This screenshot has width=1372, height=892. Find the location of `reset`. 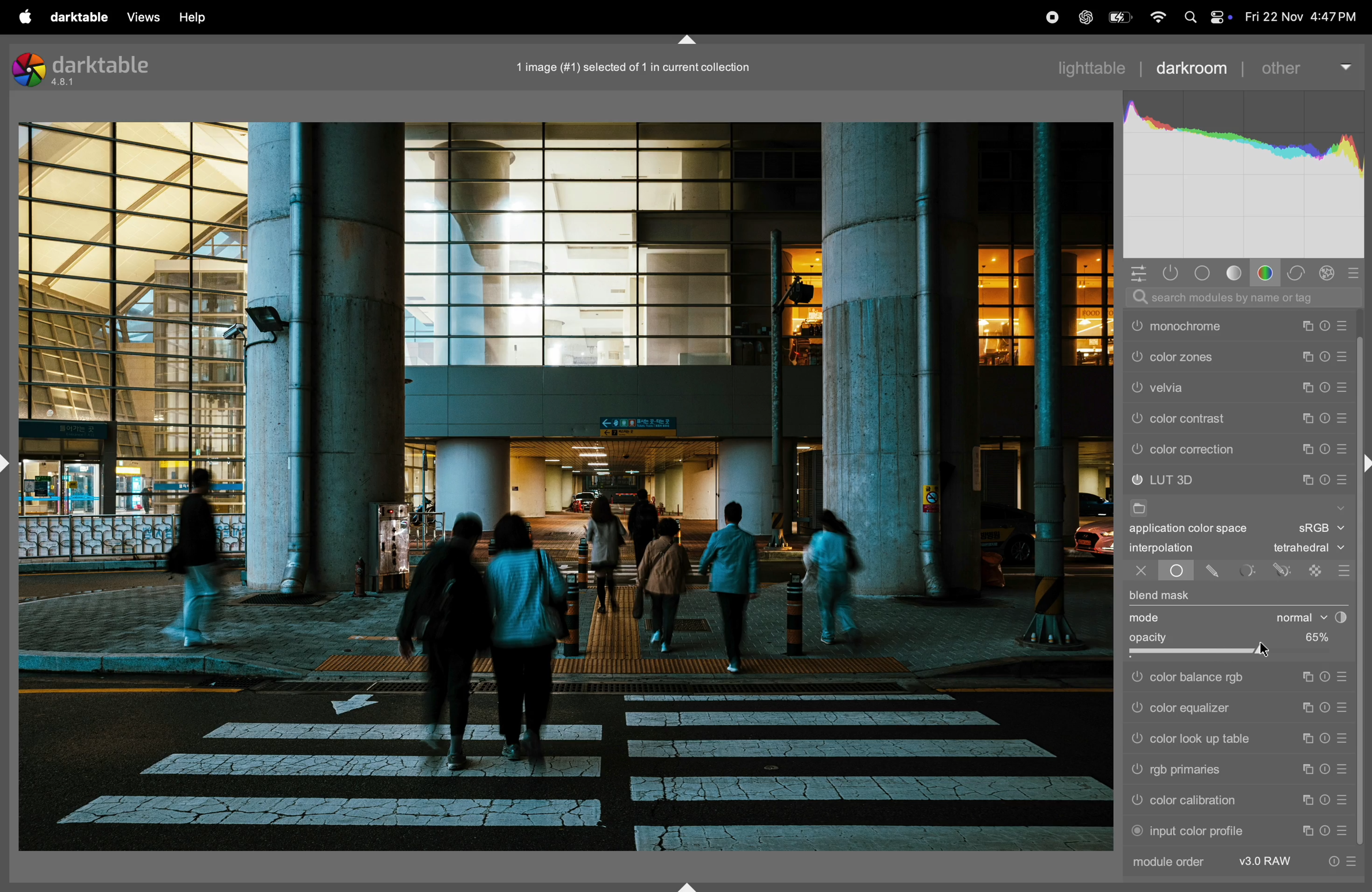

reset is located at coordinates (1325, 354).